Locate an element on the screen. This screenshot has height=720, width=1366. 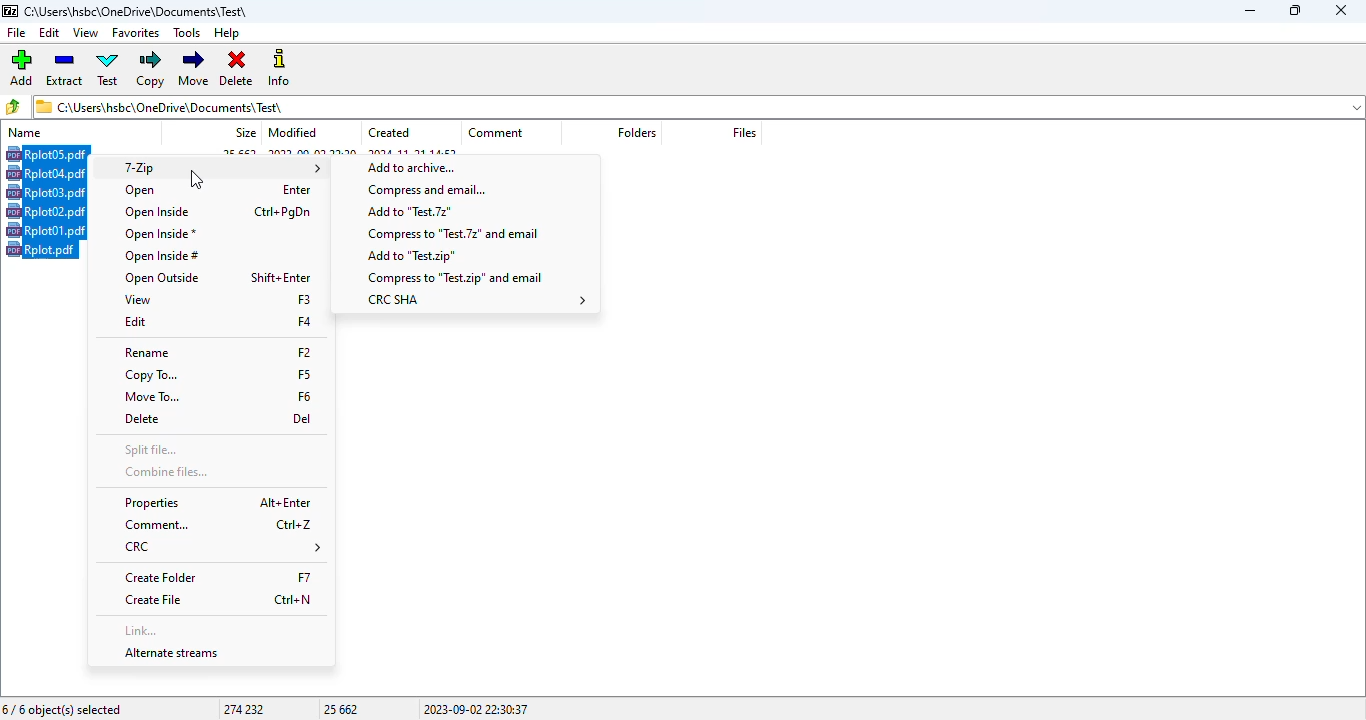
rplot02 is located at coordinates (46, 211).